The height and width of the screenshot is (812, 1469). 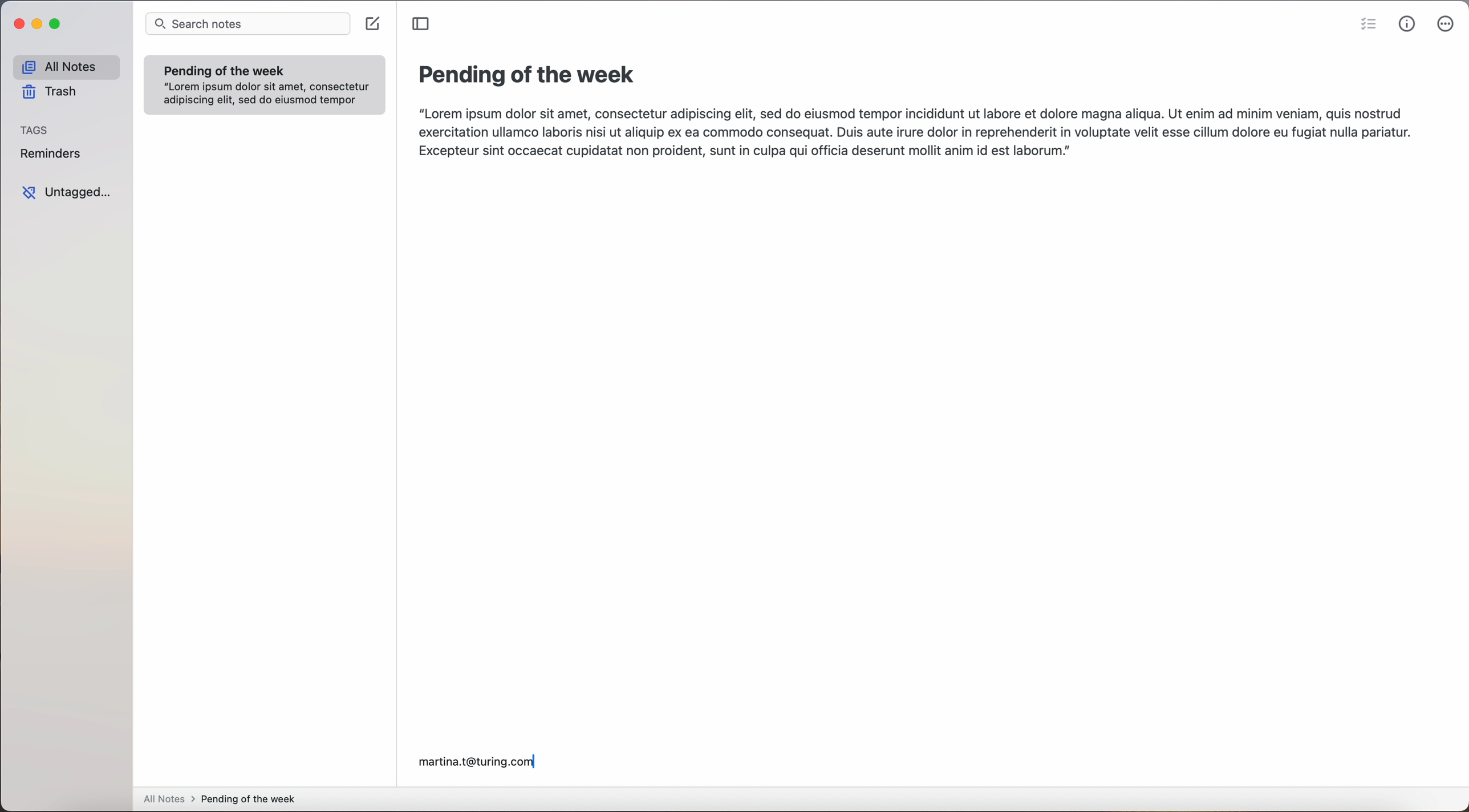 What do you see at coordinates (265, 84) in the screenshot?
I see `note` at bounding box center [265, 84].